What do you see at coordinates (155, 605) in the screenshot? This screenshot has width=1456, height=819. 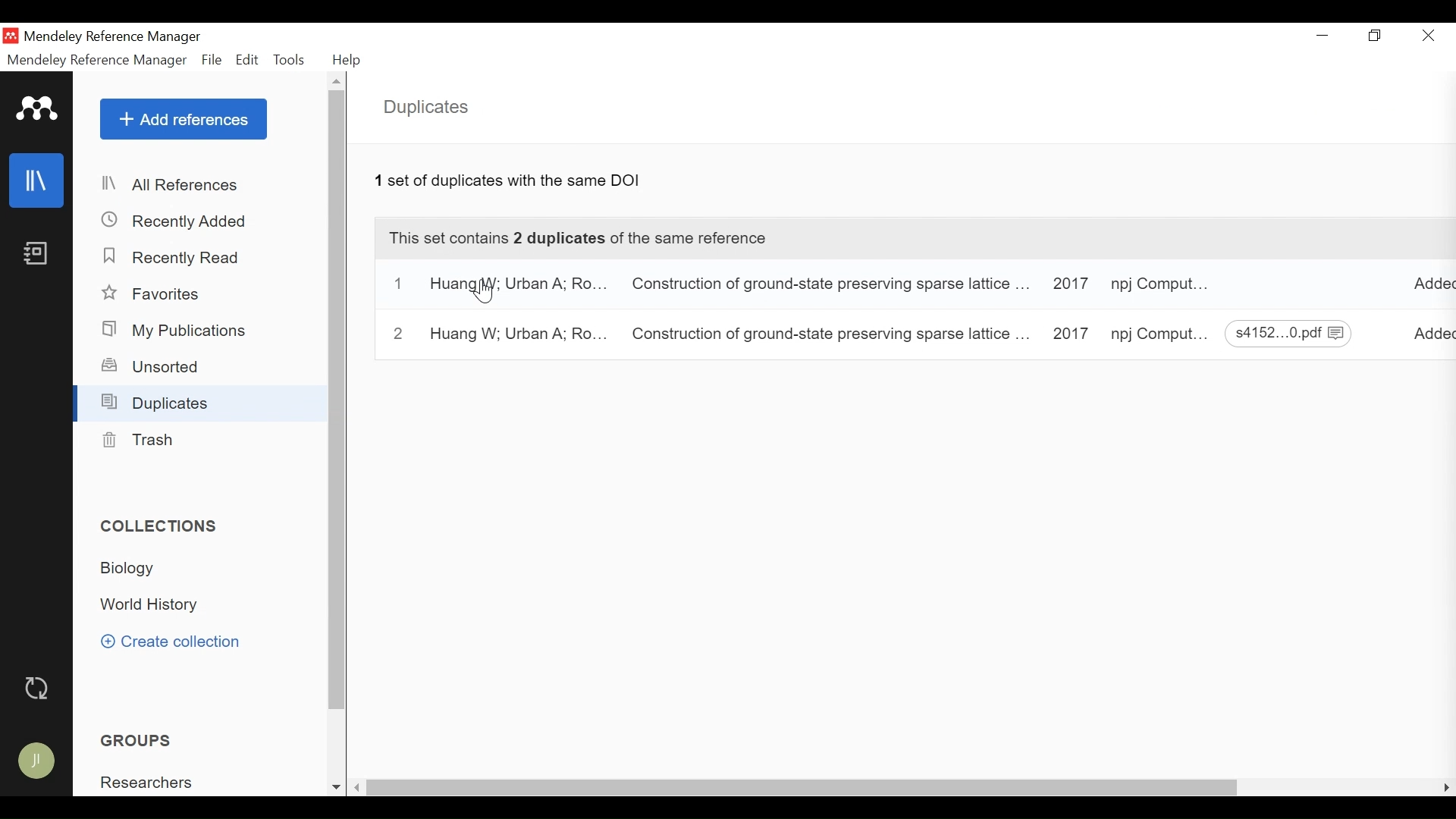 I see `Collection` at bounding box center [155, 605].